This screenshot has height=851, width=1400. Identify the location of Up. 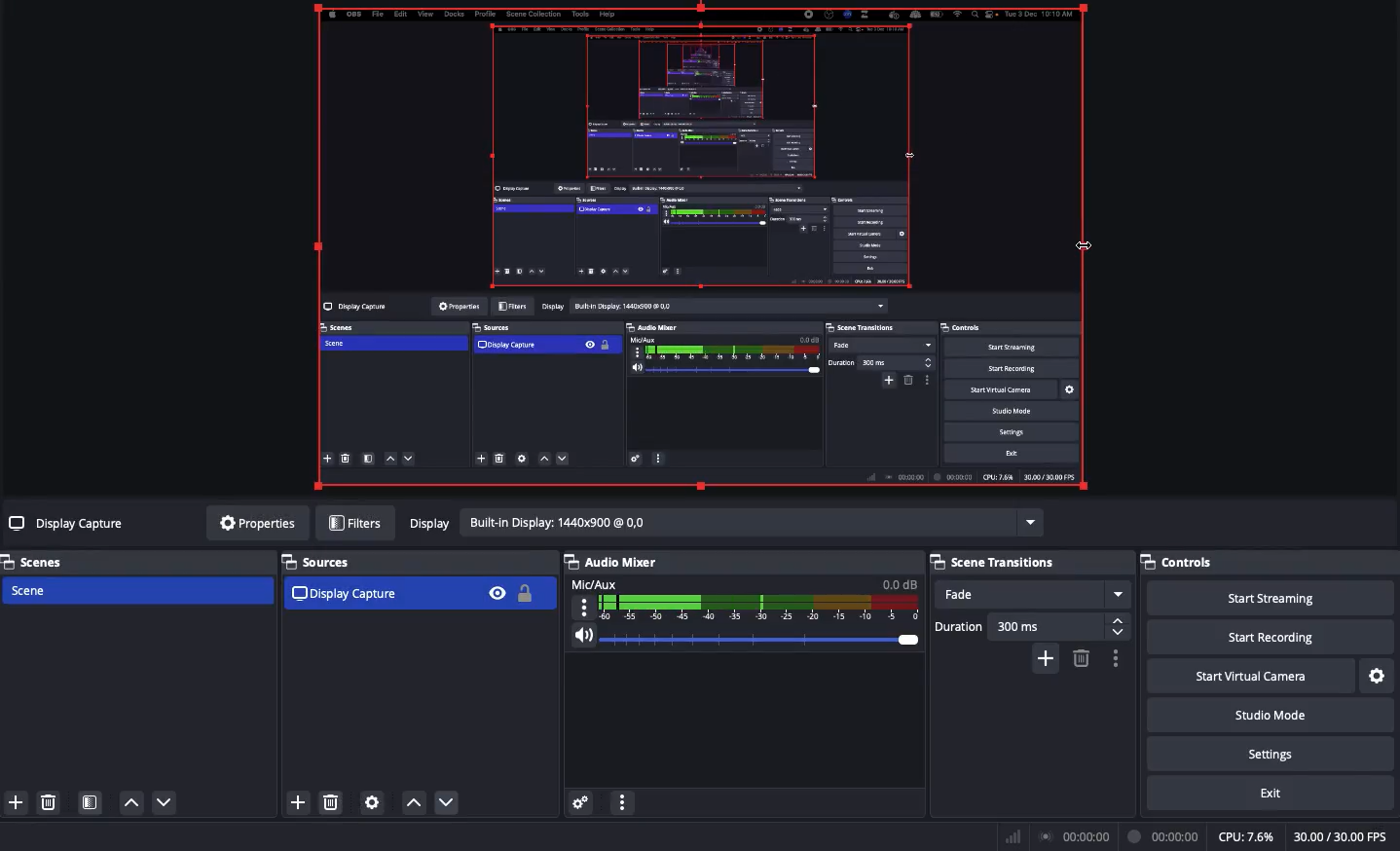
(413, 804).